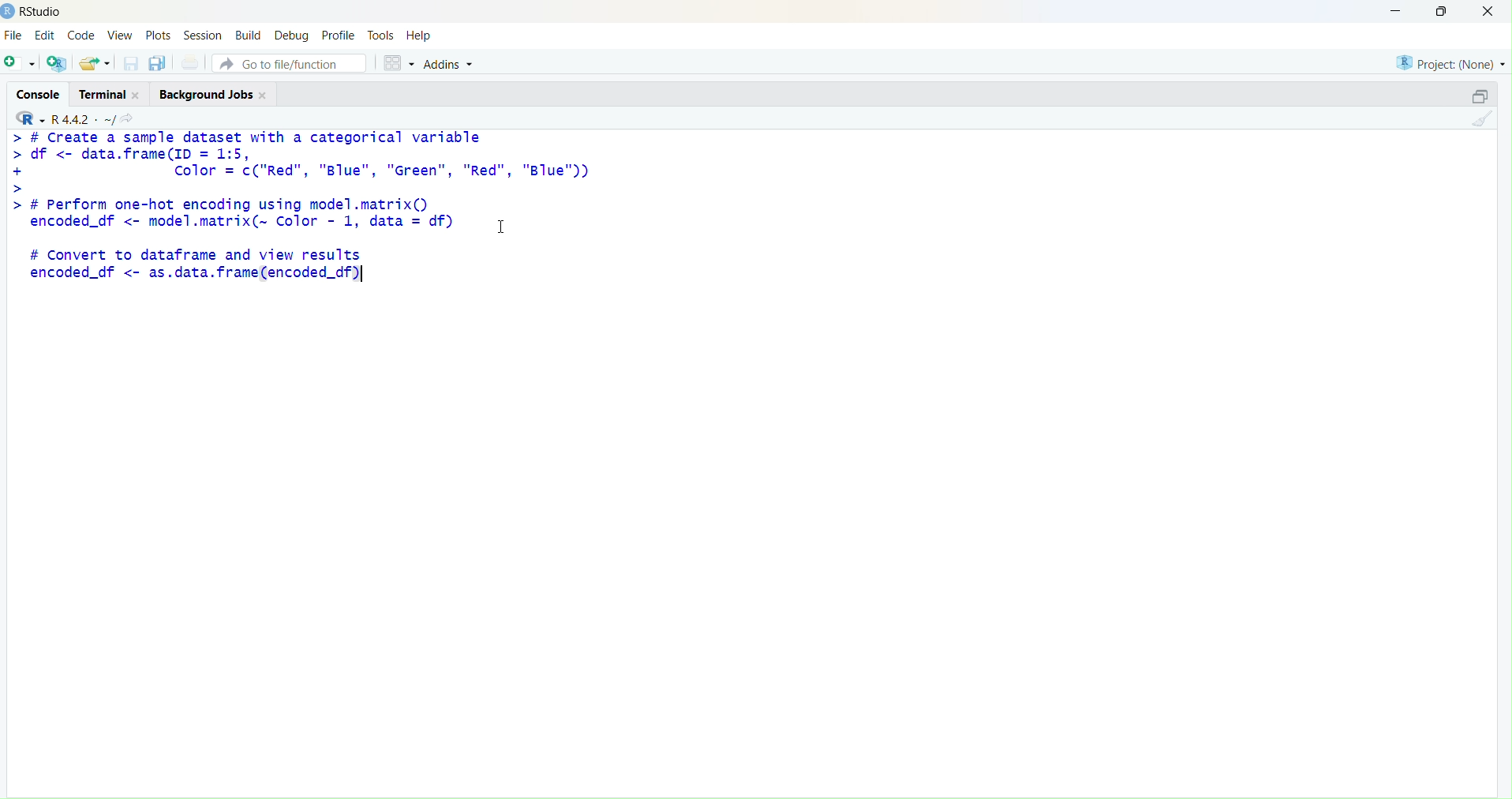 Image resolution: width=1512 pixels, height=799 pixels. Describe the element at coordinates (31, 118) in the screenshot. I see `R` at that location.